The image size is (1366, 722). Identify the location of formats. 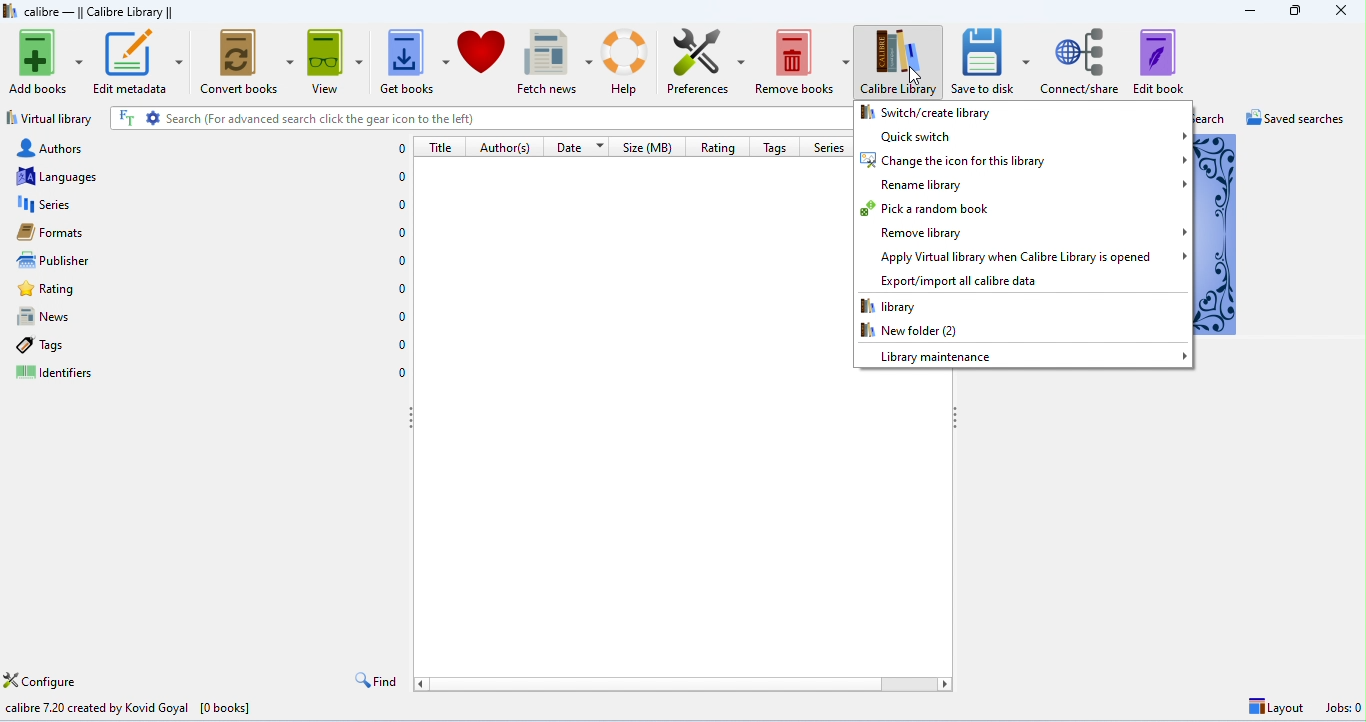
(211, 233).